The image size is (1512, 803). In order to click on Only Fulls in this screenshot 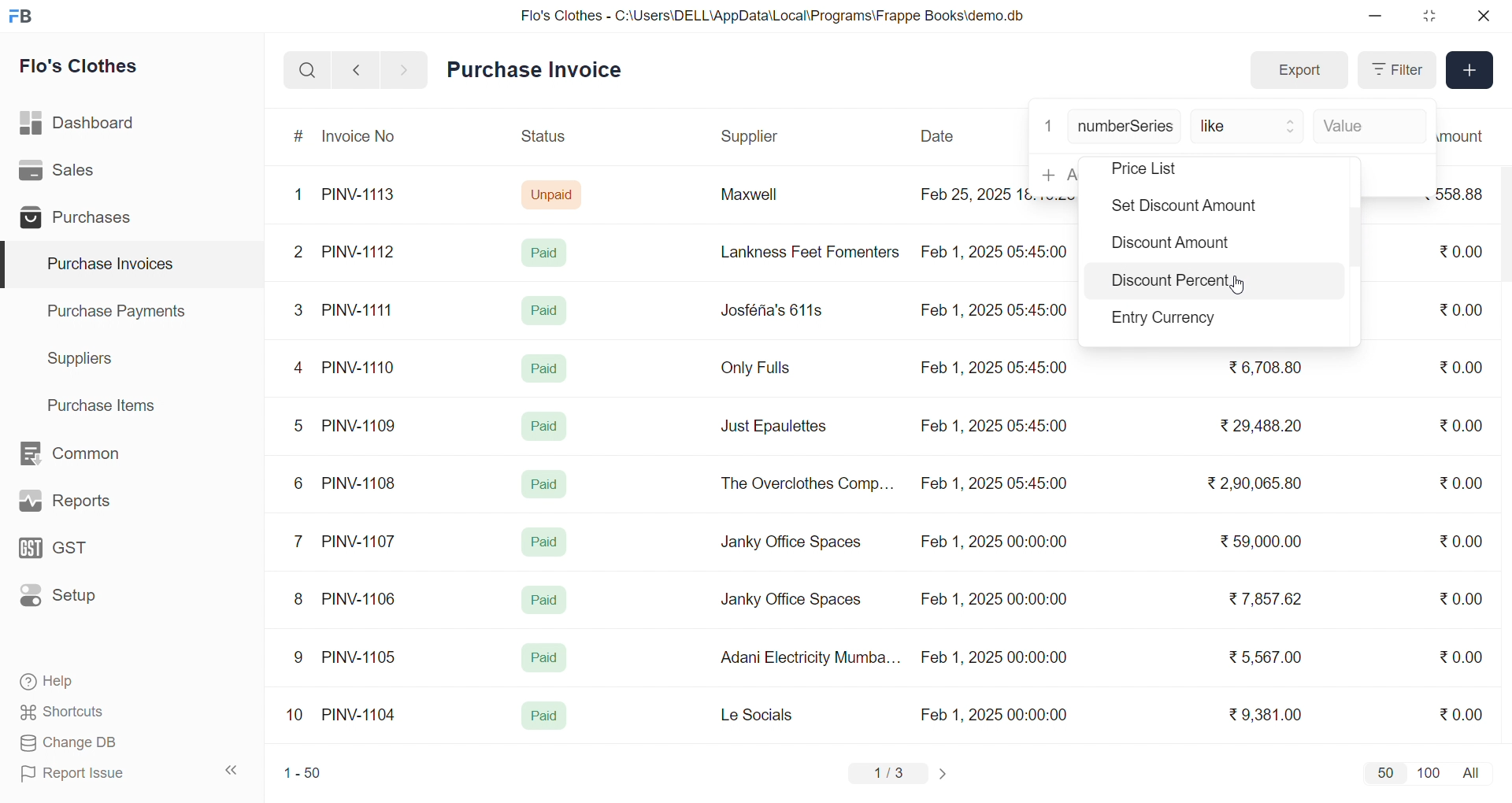, I will do `click(762, 372)`.